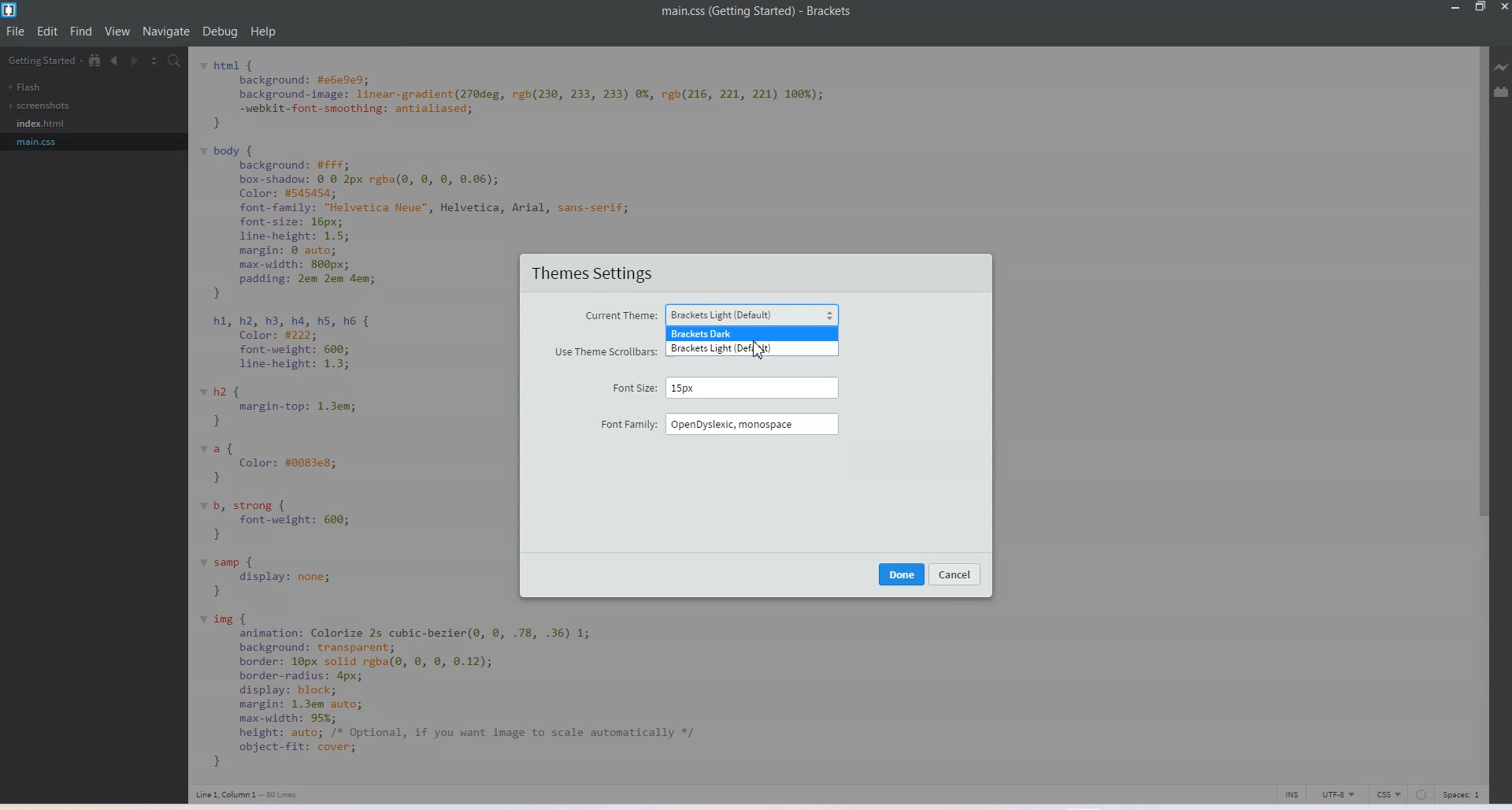 This screenshot has width=1512, height=810. I want to click on Maximize, so click(1481, 8).